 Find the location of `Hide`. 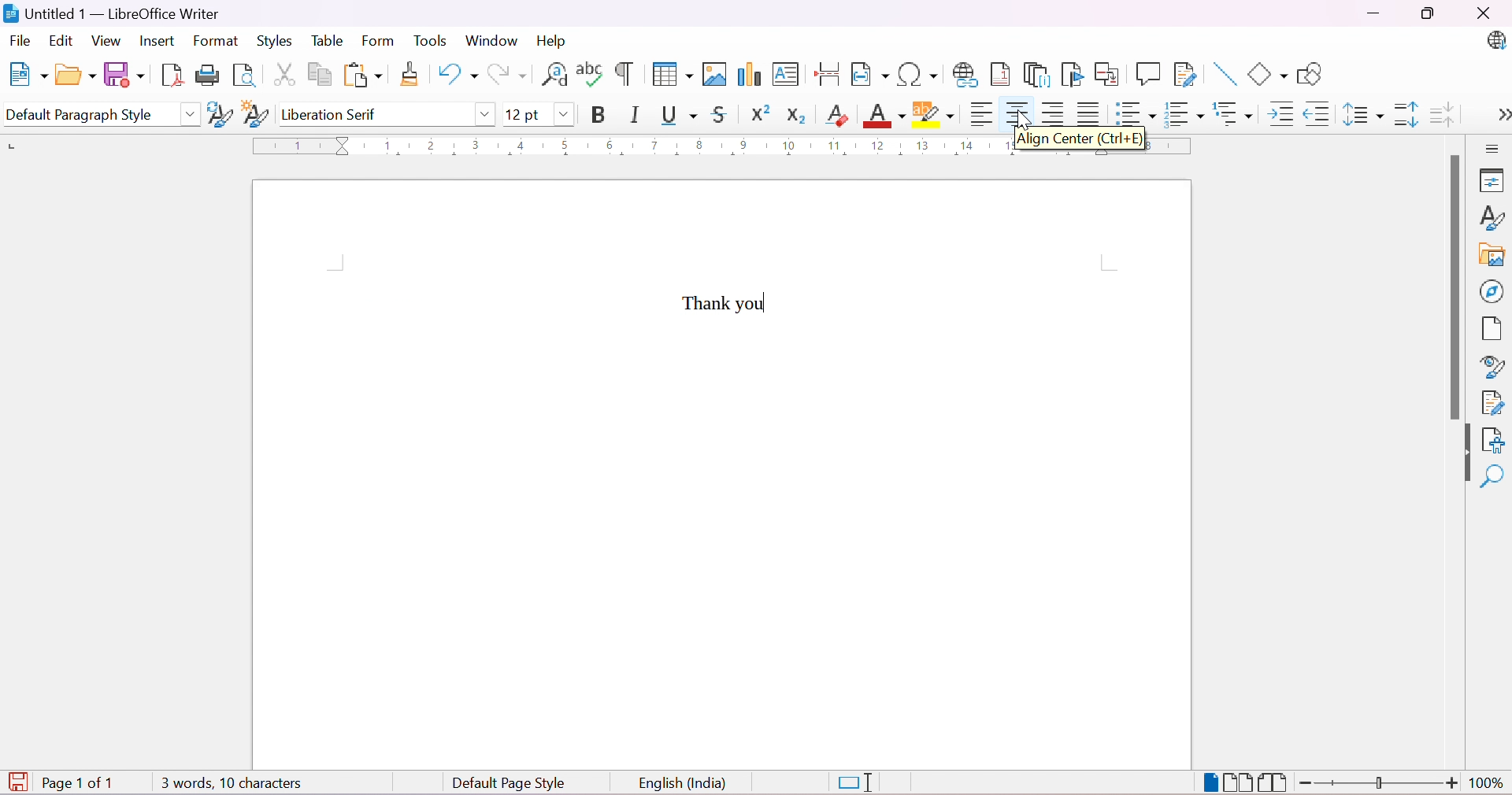

Hide is located at coordinates (1466, 454).